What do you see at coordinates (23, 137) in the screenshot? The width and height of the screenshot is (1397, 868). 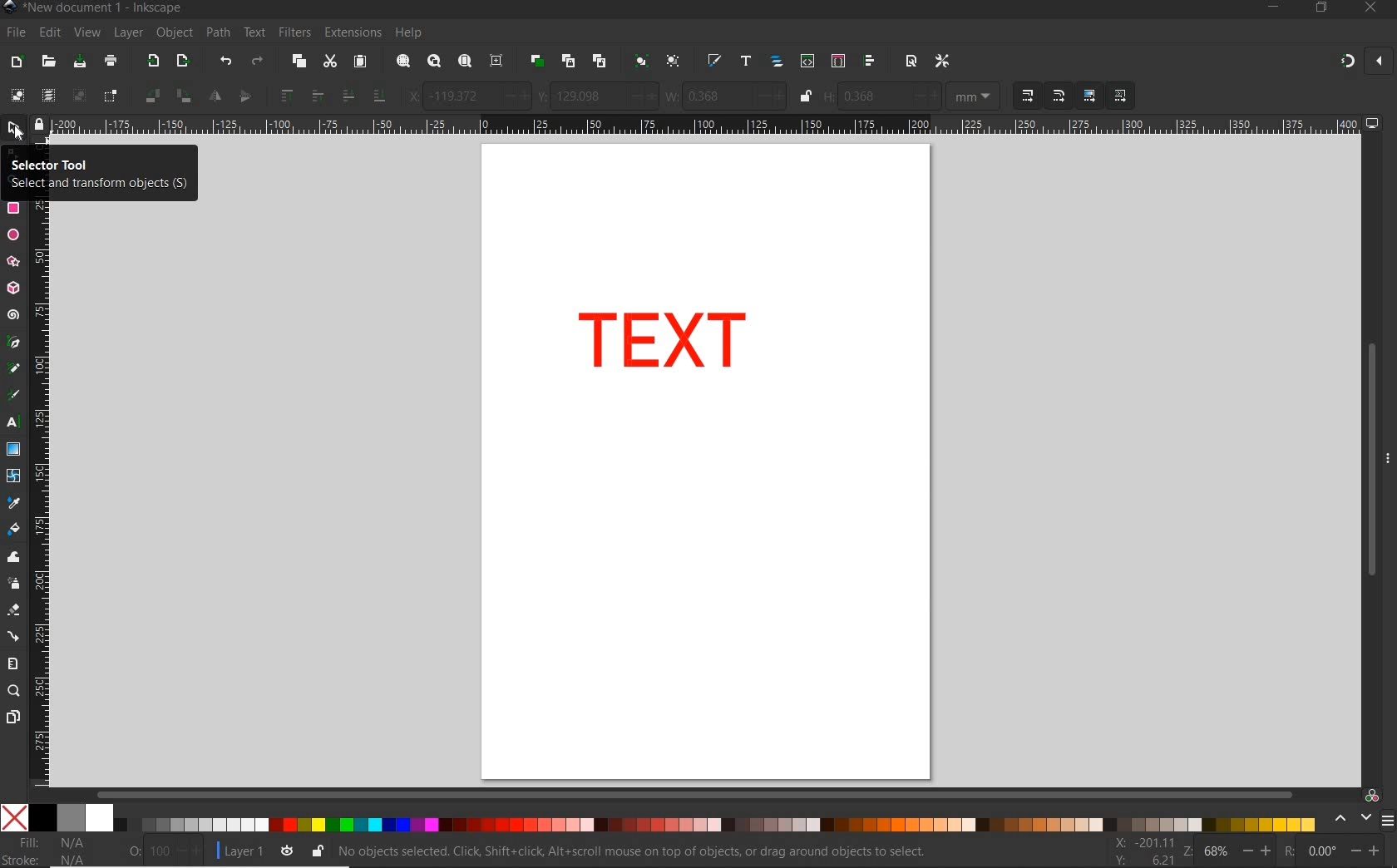 I see `cursor` at bounding box center [23, 137].